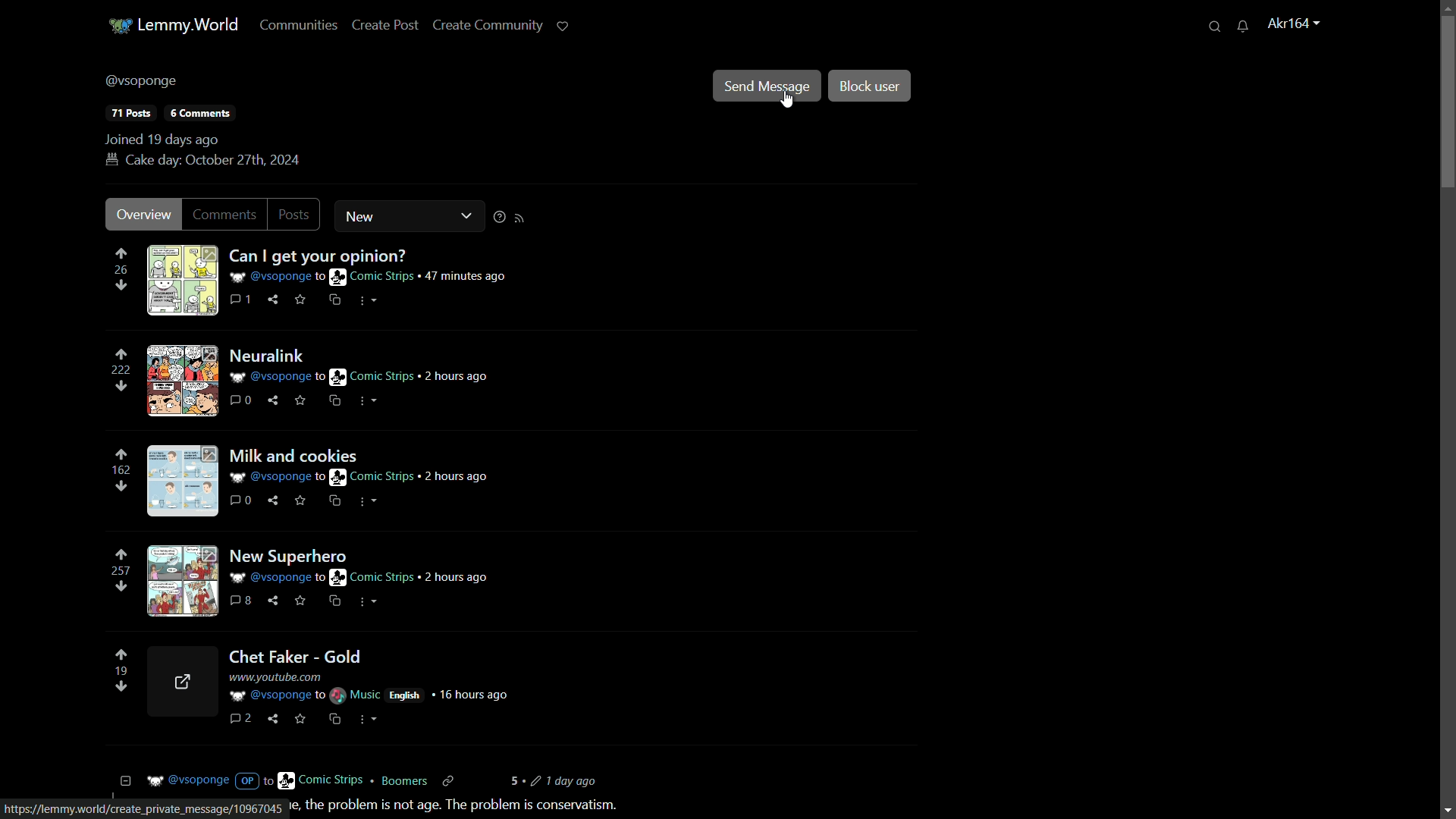 The image size is (1456, 819). What do you see at coordinates (334, 500) in the screenshot?
I see `cs` at bounding box center [334, 500].